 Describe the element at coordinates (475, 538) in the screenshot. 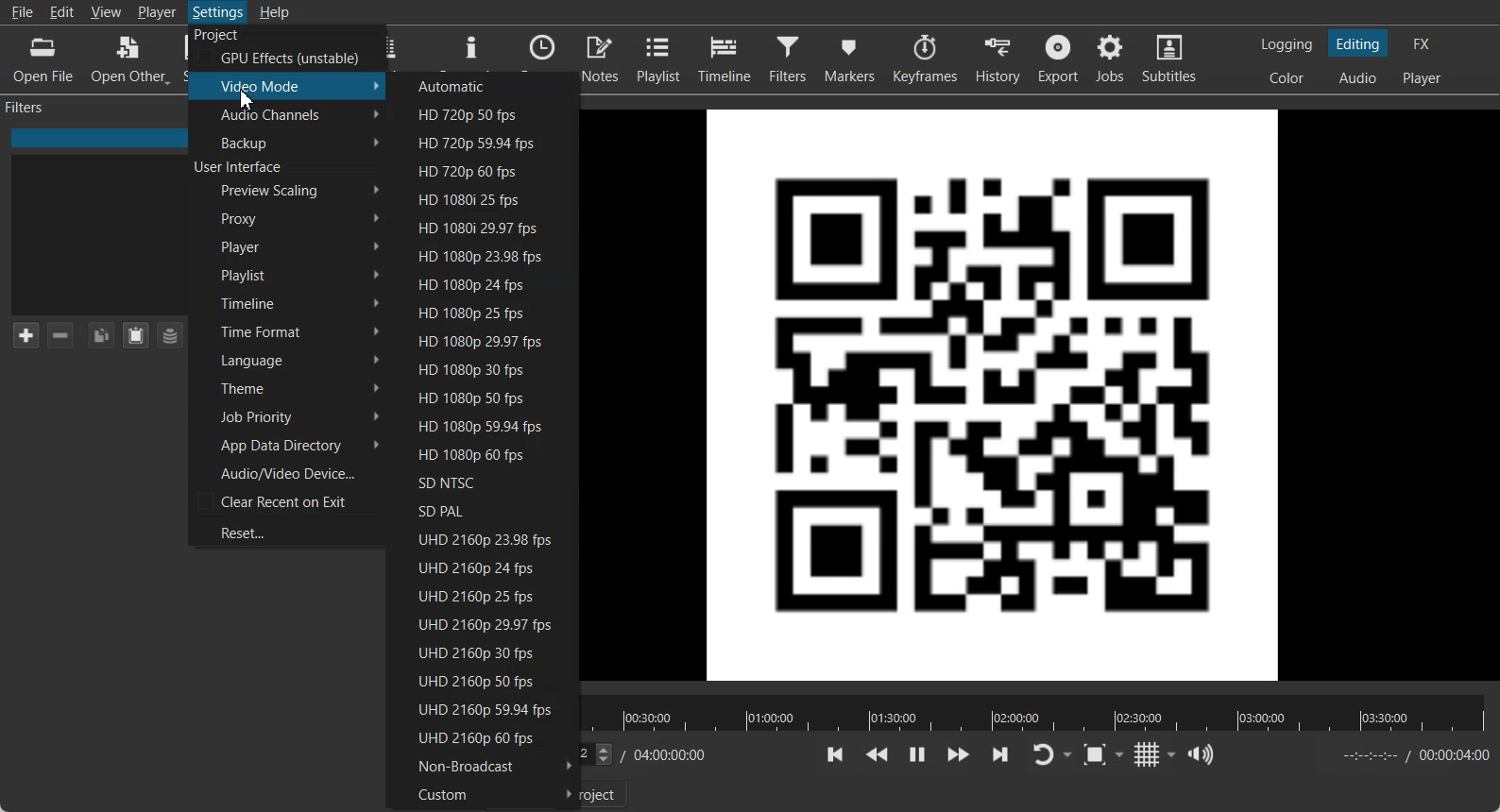

I see `UHD 2160p 23.98 fps` at that location.